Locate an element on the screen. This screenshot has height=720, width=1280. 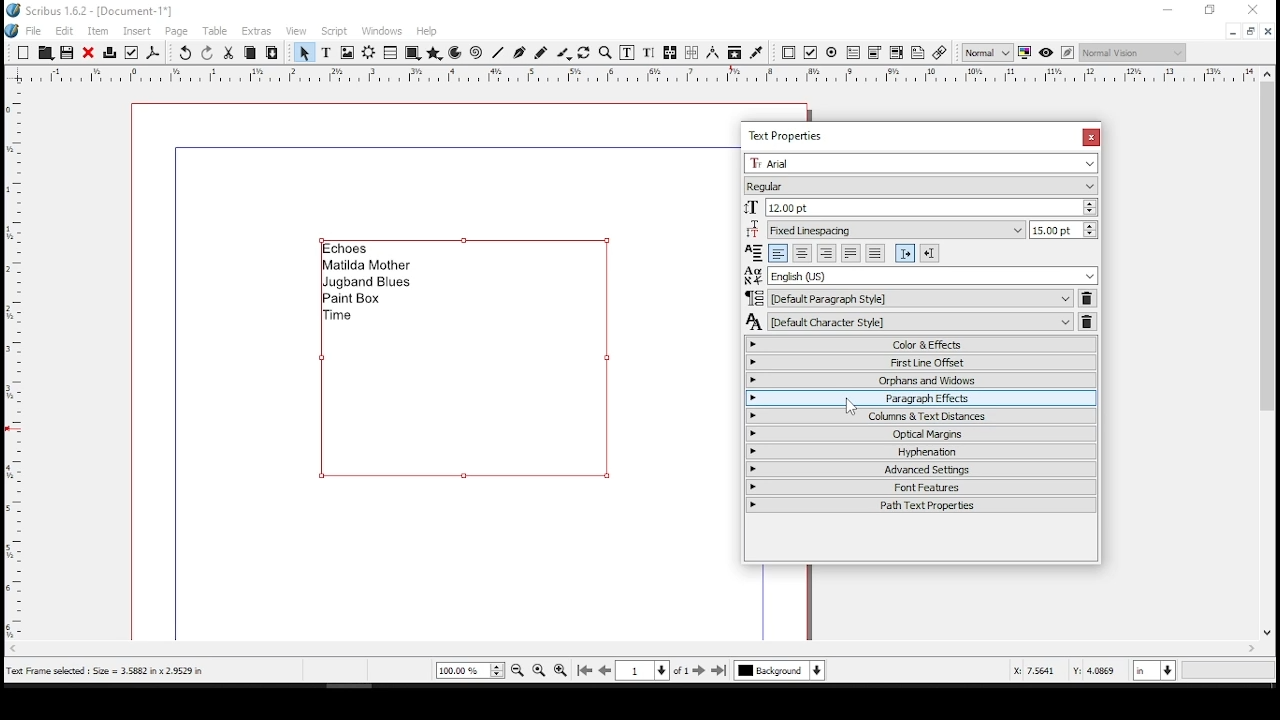
font is located at coordinates (920, 166).